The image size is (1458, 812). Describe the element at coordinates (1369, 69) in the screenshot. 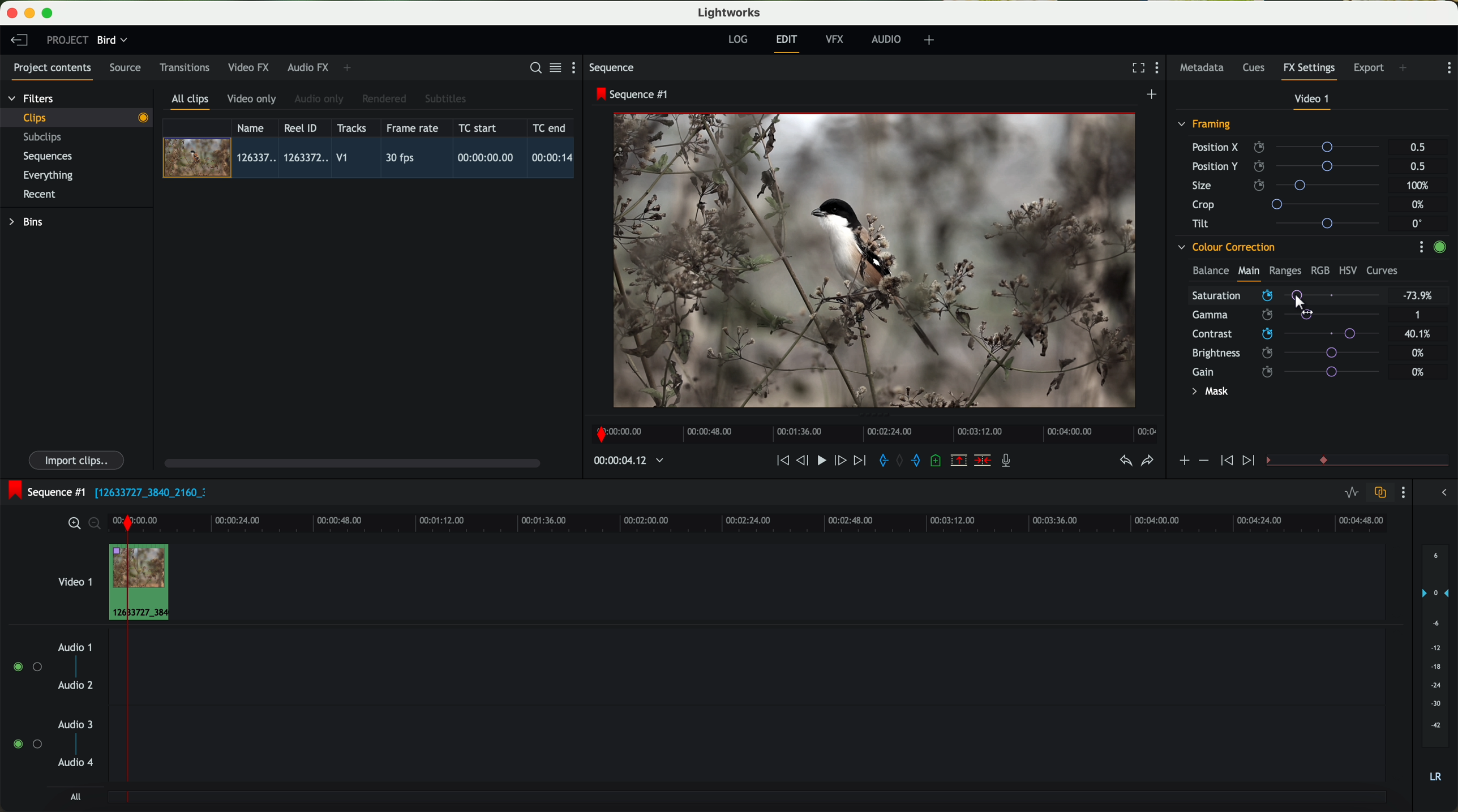

I see `export` at that location.